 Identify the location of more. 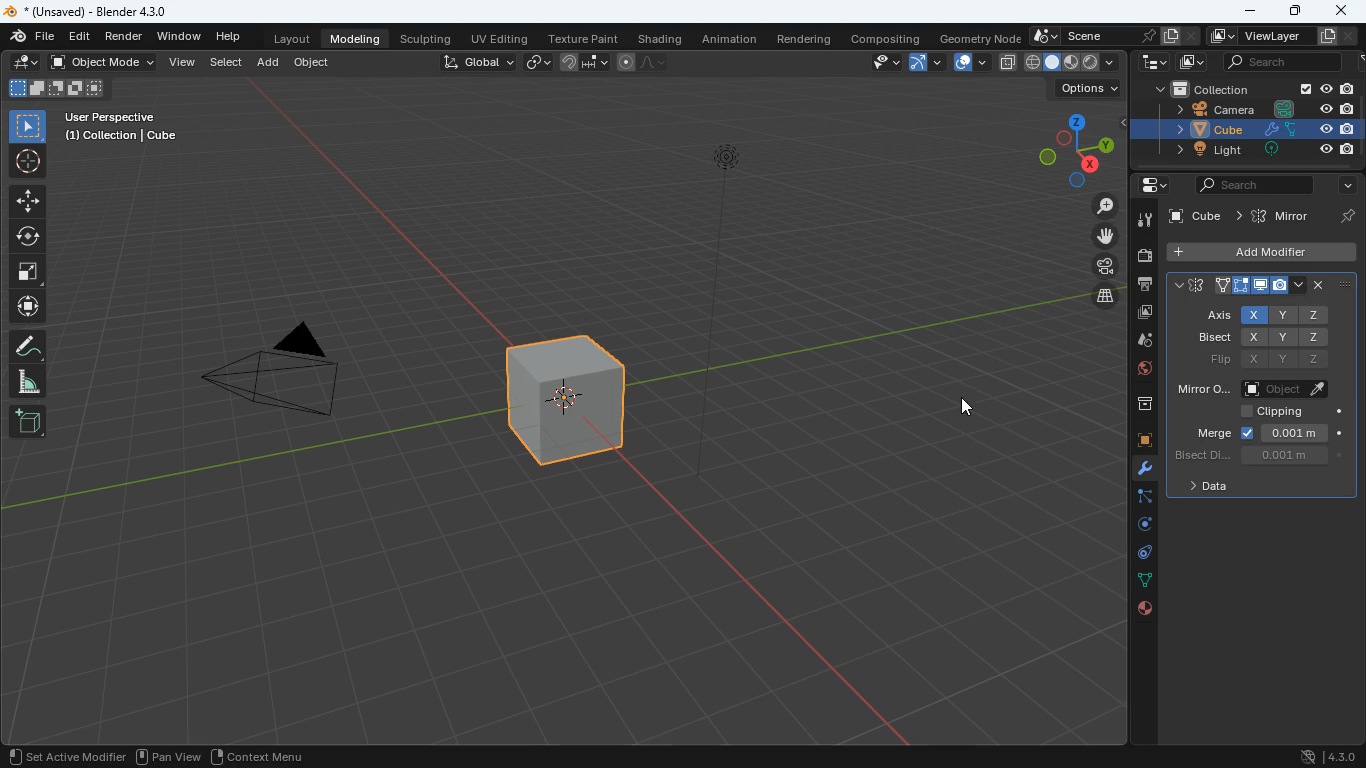
(1344, 186).